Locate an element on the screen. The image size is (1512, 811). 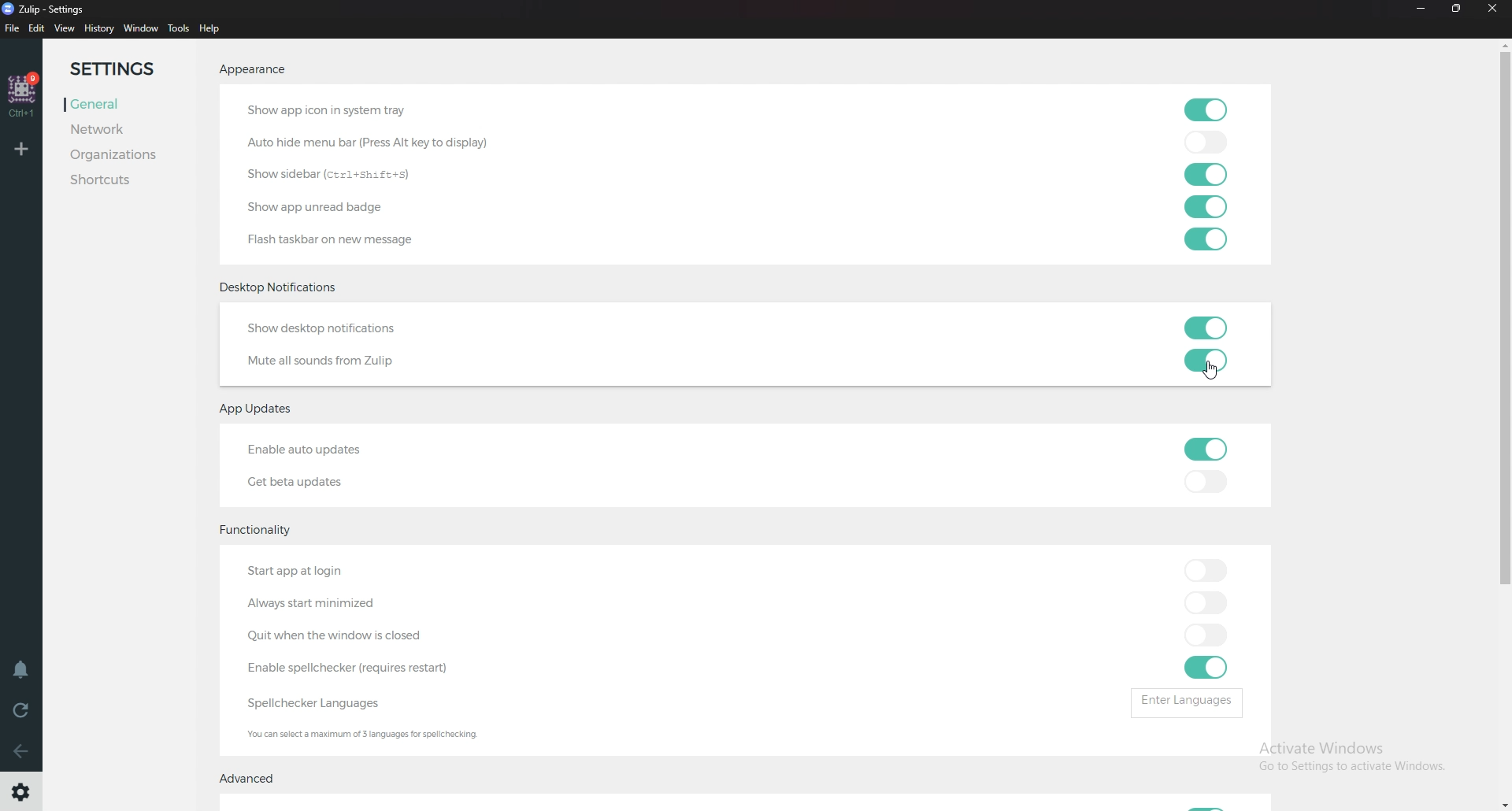
help is located at coordinates (213, 30).